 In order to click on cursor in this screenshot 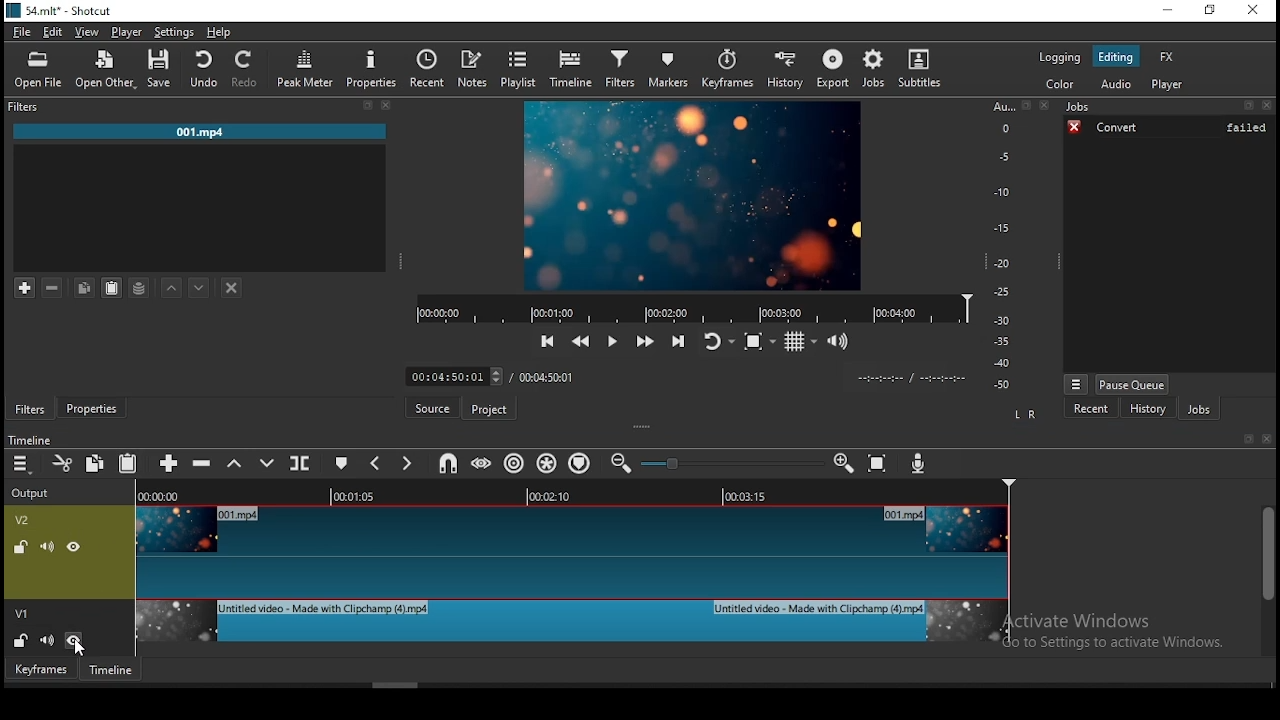, I will do `click(79, 650)`.